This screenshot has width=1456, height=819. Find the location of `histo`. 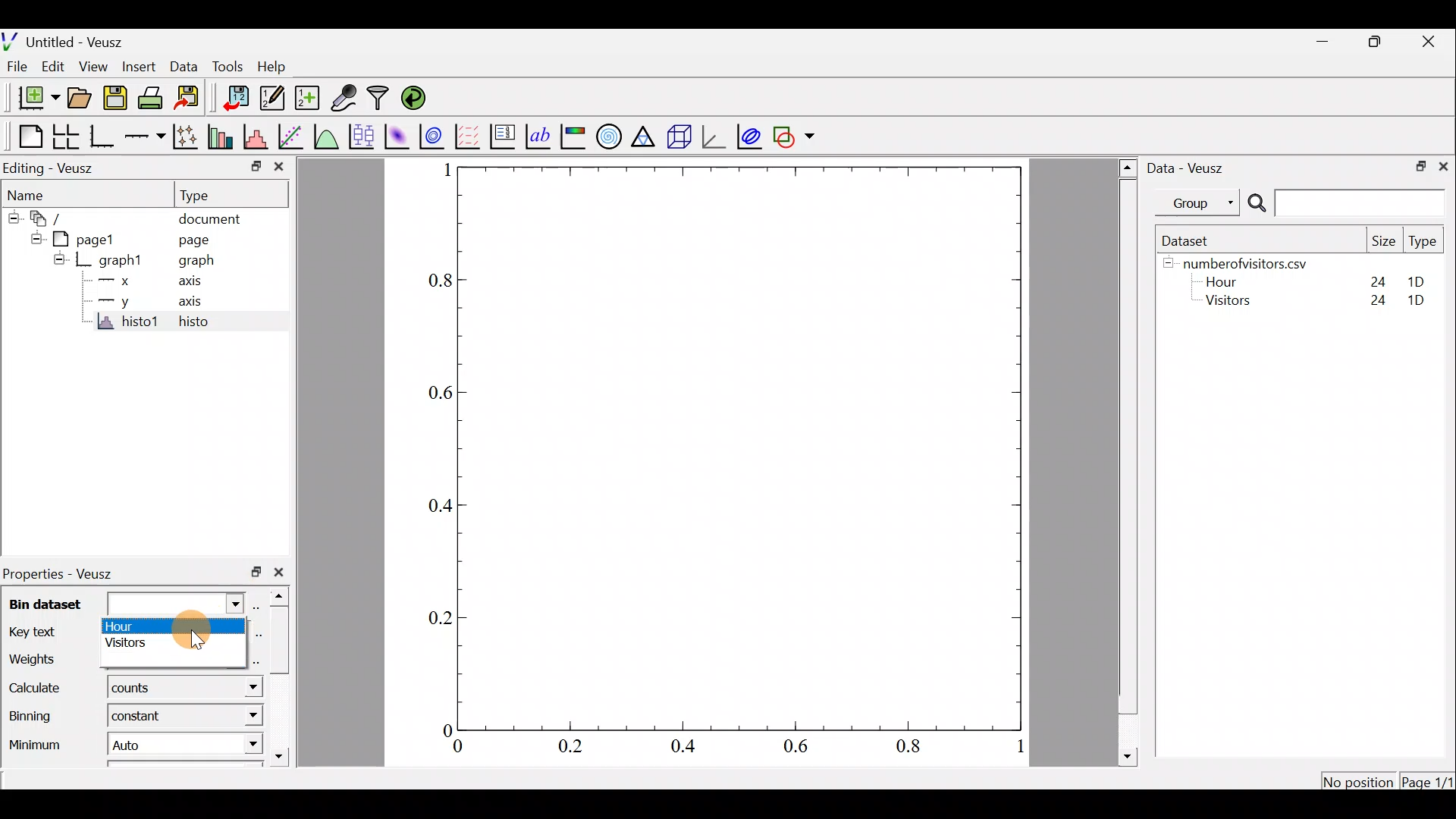

histo is located at coordinates (196, 324).